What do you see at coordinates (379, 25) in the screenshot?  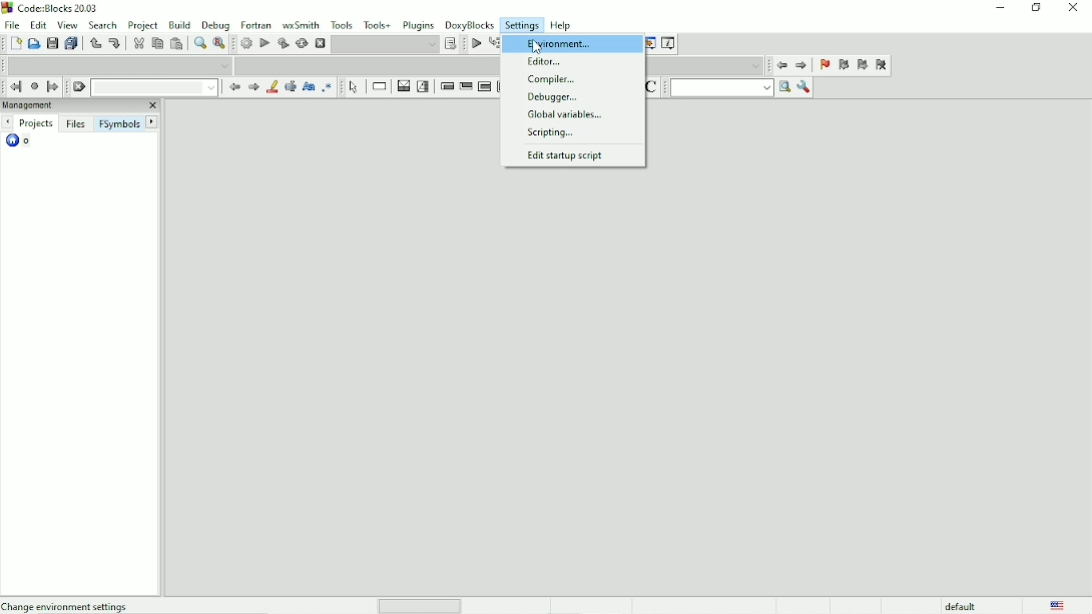 I see `Tools+` at bounding box center [379, 25].